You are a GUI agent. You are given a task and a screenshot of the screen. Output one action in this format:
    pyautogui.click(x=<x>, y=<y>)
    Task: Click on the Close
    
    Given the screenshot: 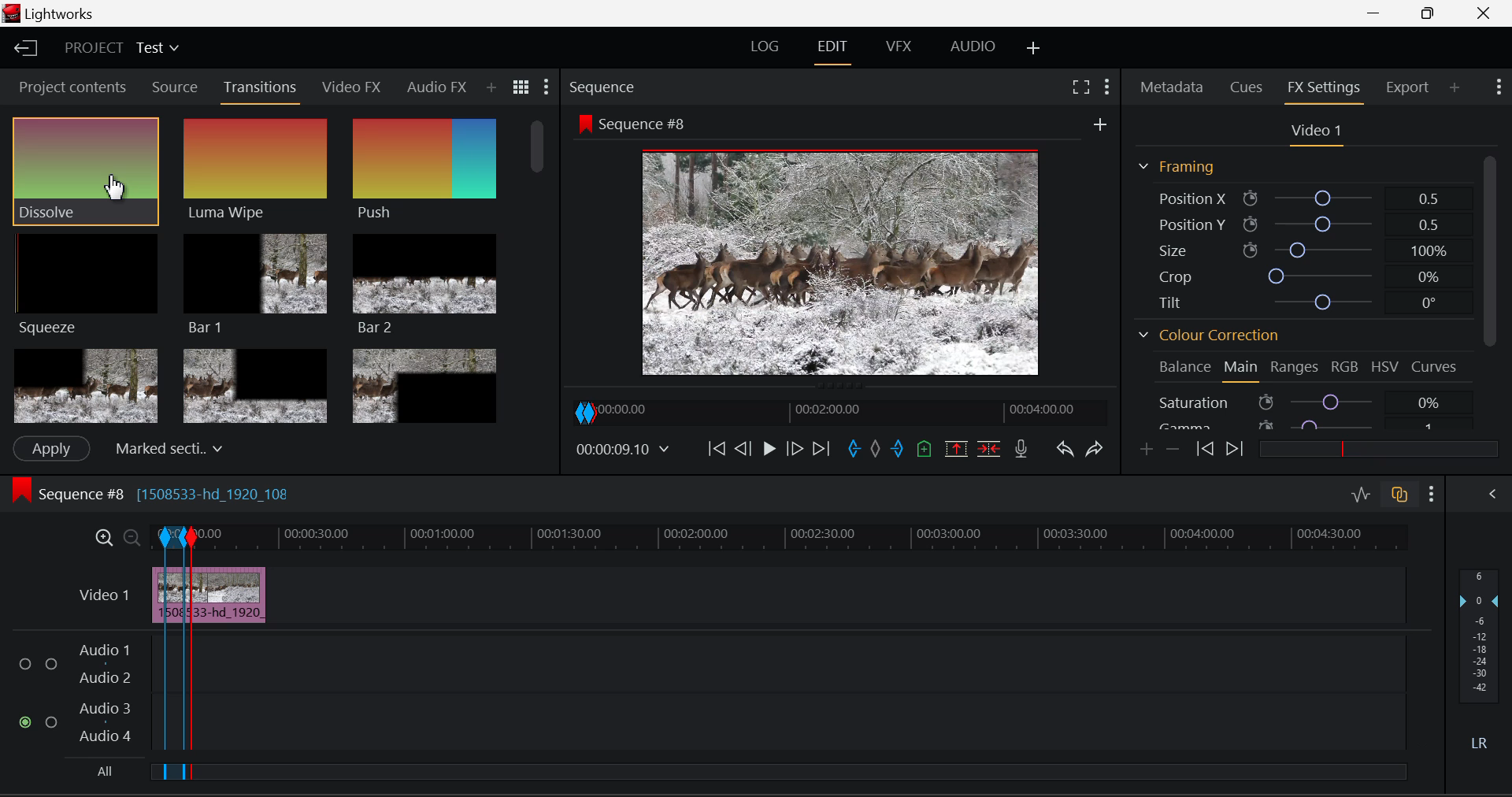 What is the action you would take?
    pyautogui.click(x=1485, y=13)
    